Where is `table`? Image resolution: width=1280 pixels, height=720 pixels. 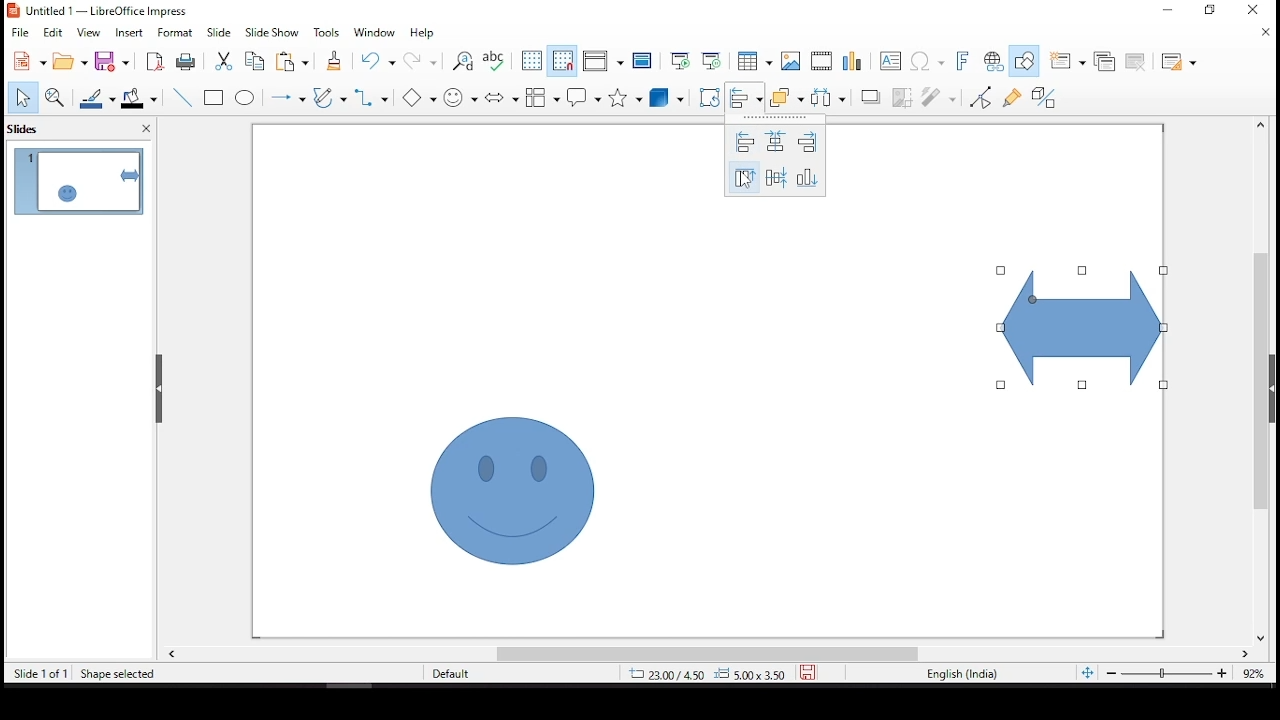 table is located at coordinates (752, 61).